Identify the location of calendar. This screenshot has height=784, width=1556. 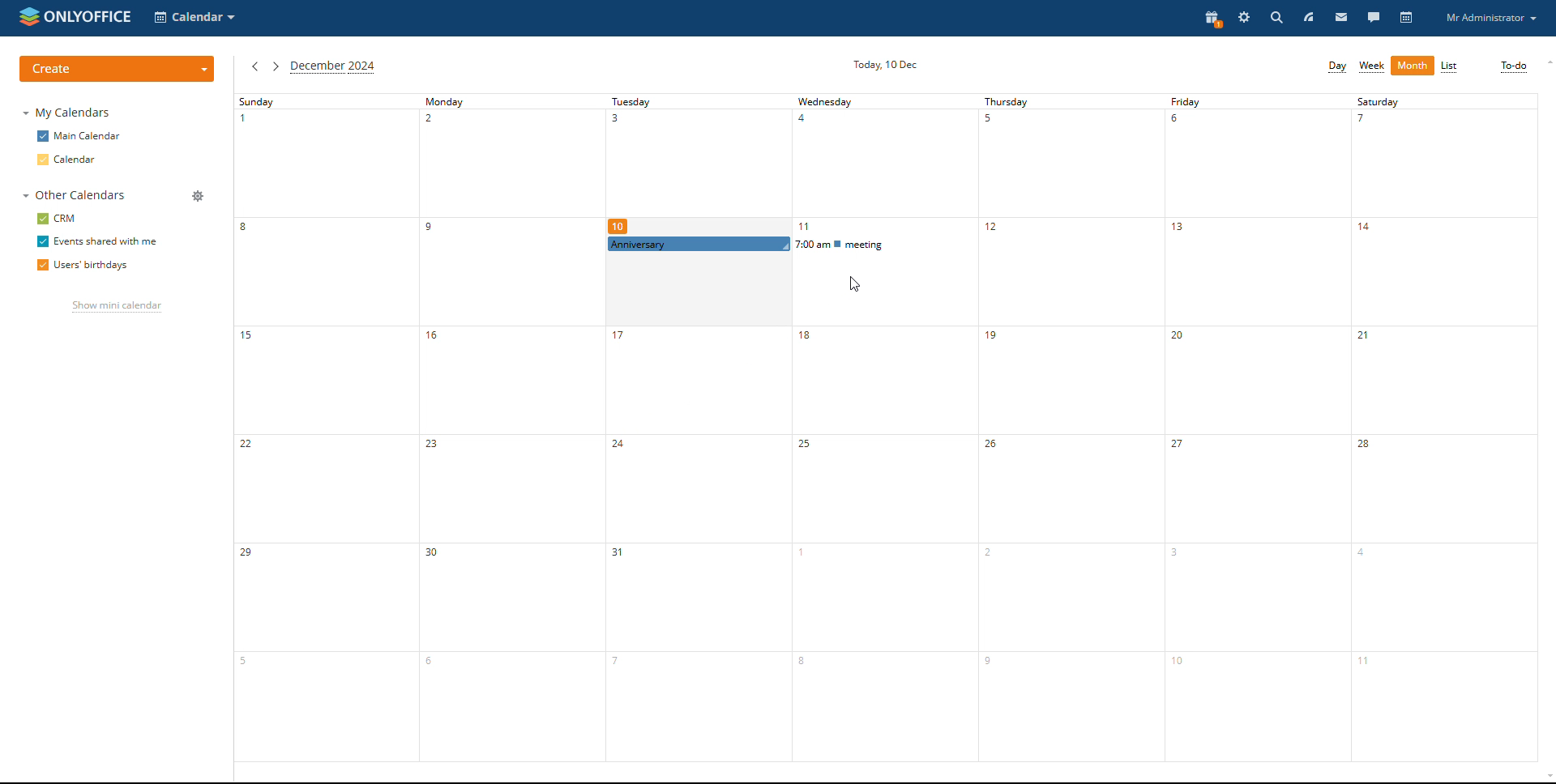
(1406, 19).